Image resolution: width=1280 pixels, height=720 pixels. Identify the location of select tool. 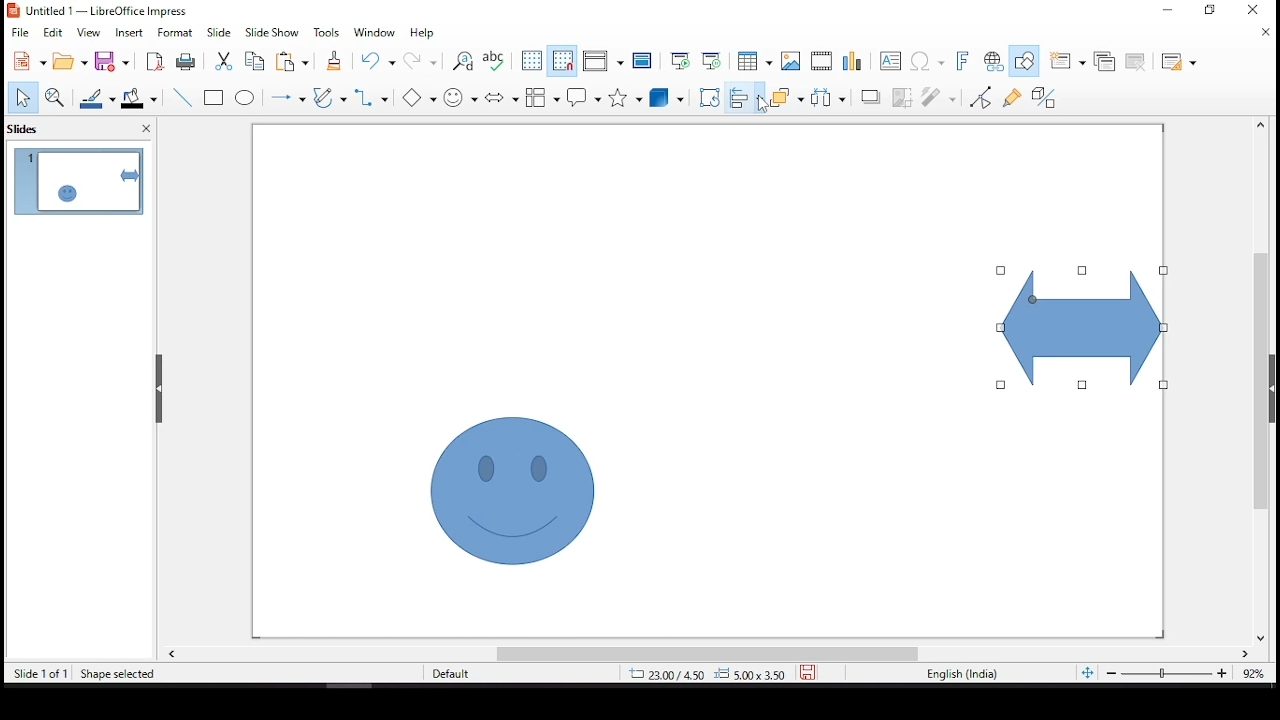
(22, 99).